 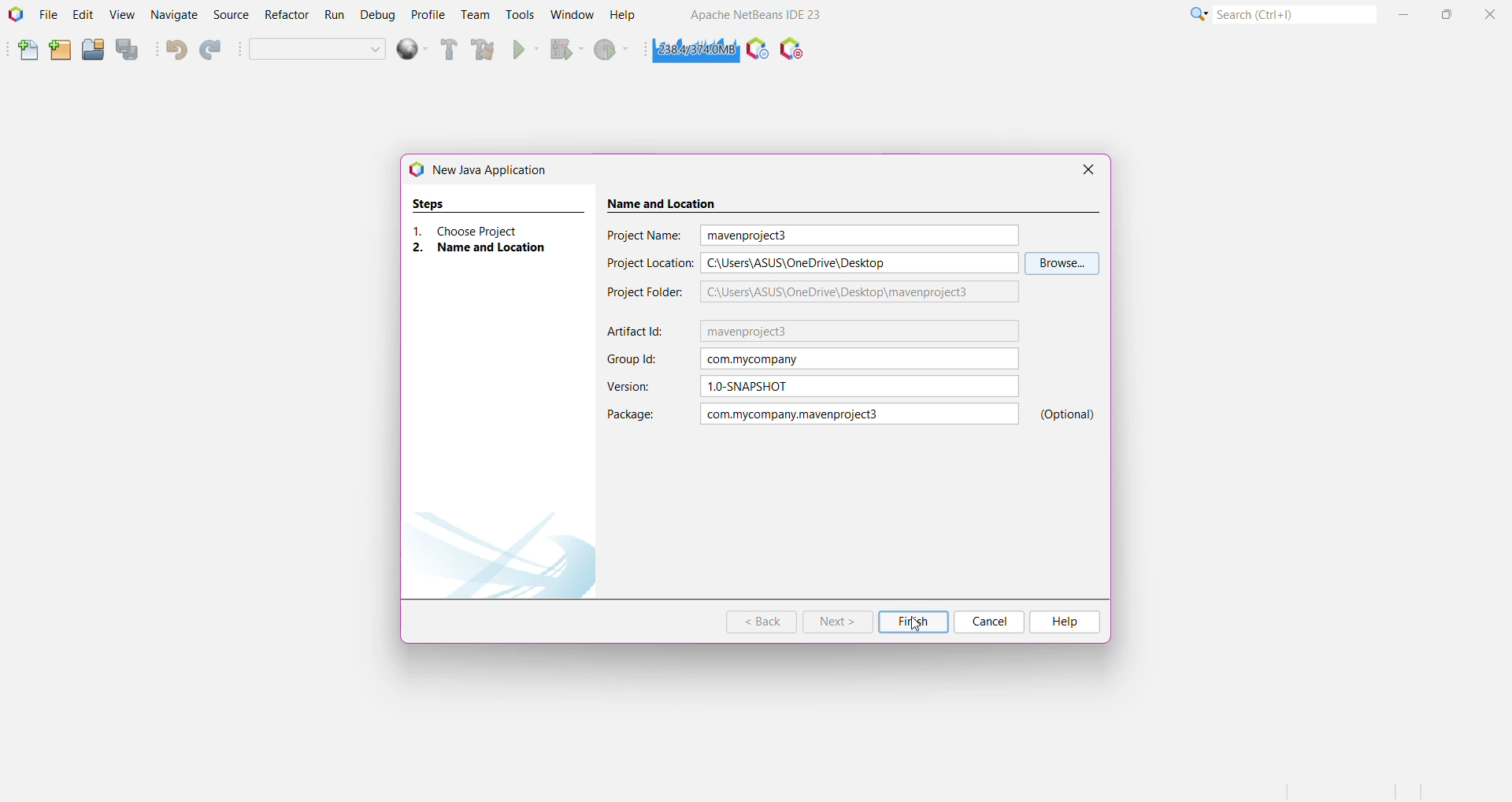 What do you see at coordinates (431, 202) in the screenshot?
I see `Steps` at bounding box center [431, 202].